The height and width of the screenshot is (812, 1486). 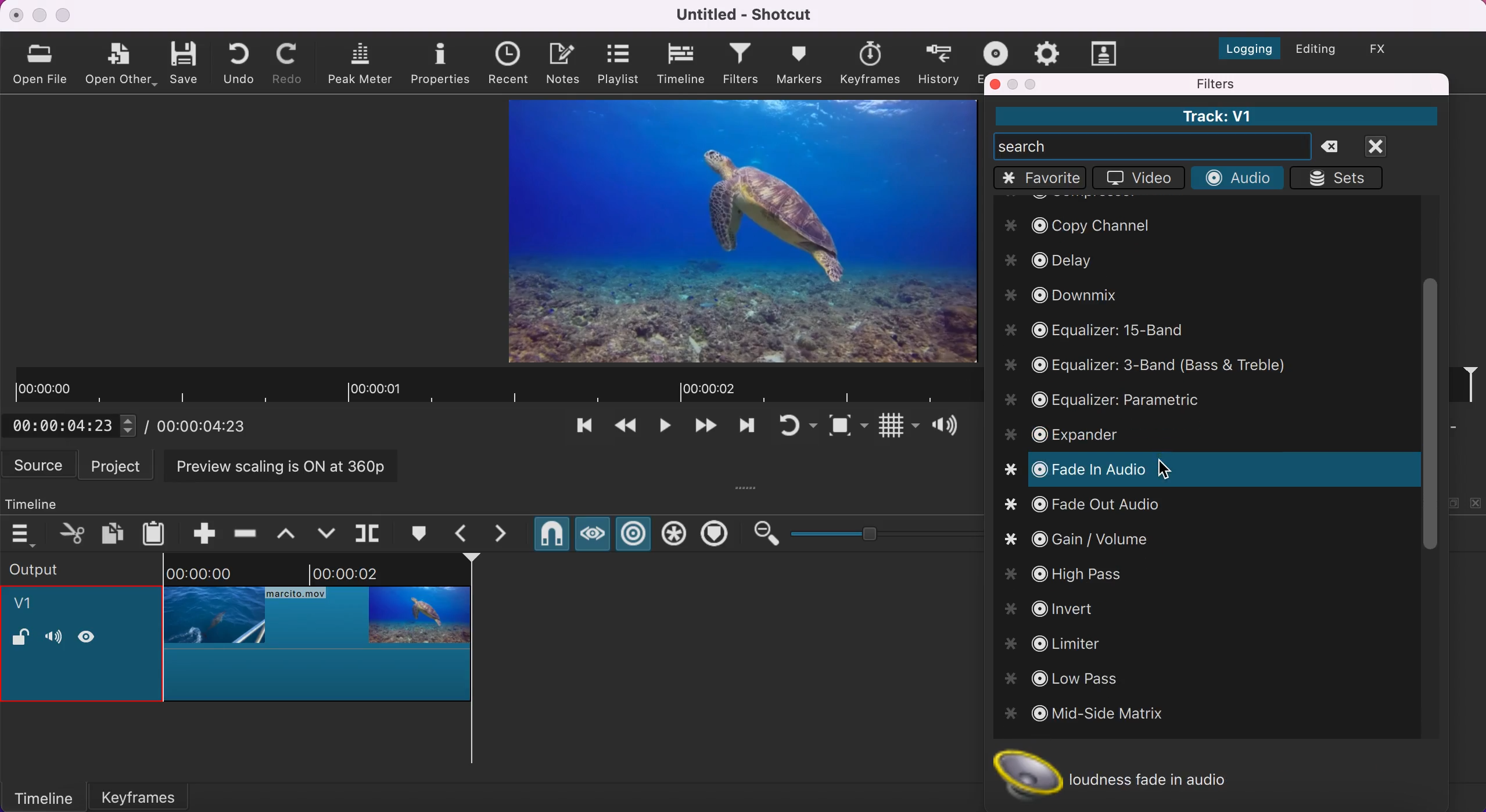 I want to click on fade in audio, so click(x=1074, y=469).